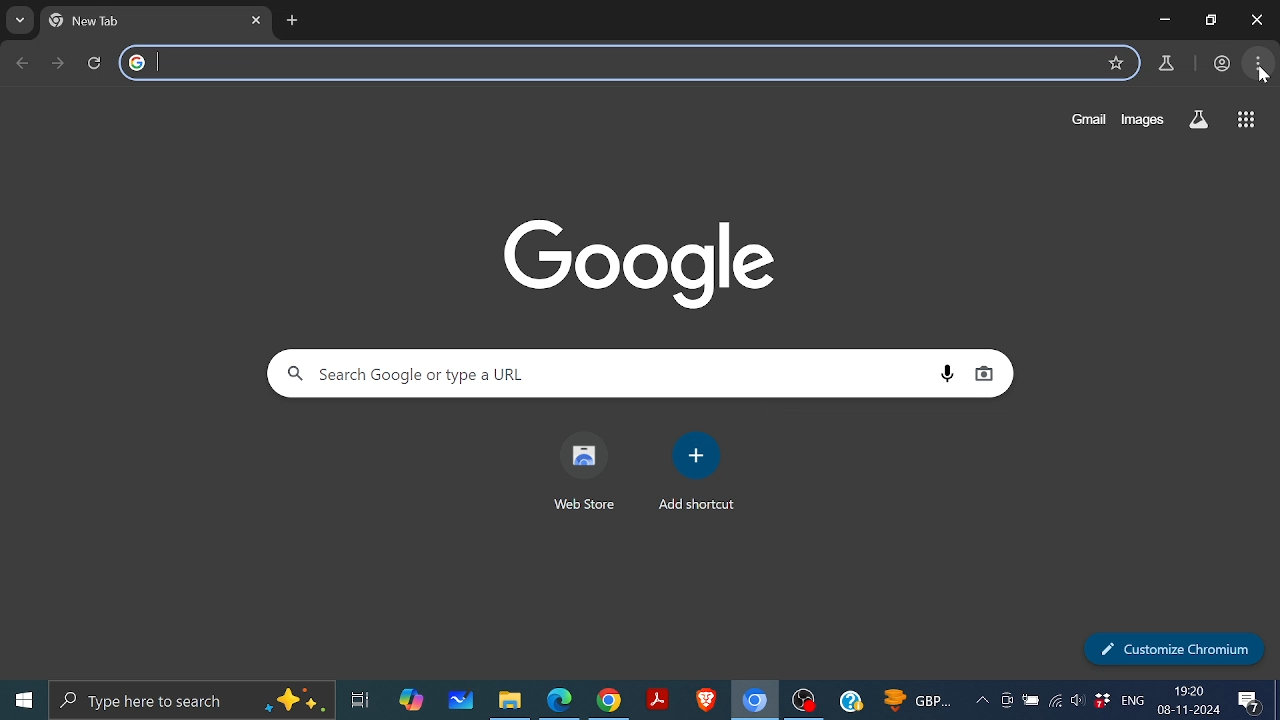 The image size is (1280, 720). I want to click on Images, so click(1145, 120).